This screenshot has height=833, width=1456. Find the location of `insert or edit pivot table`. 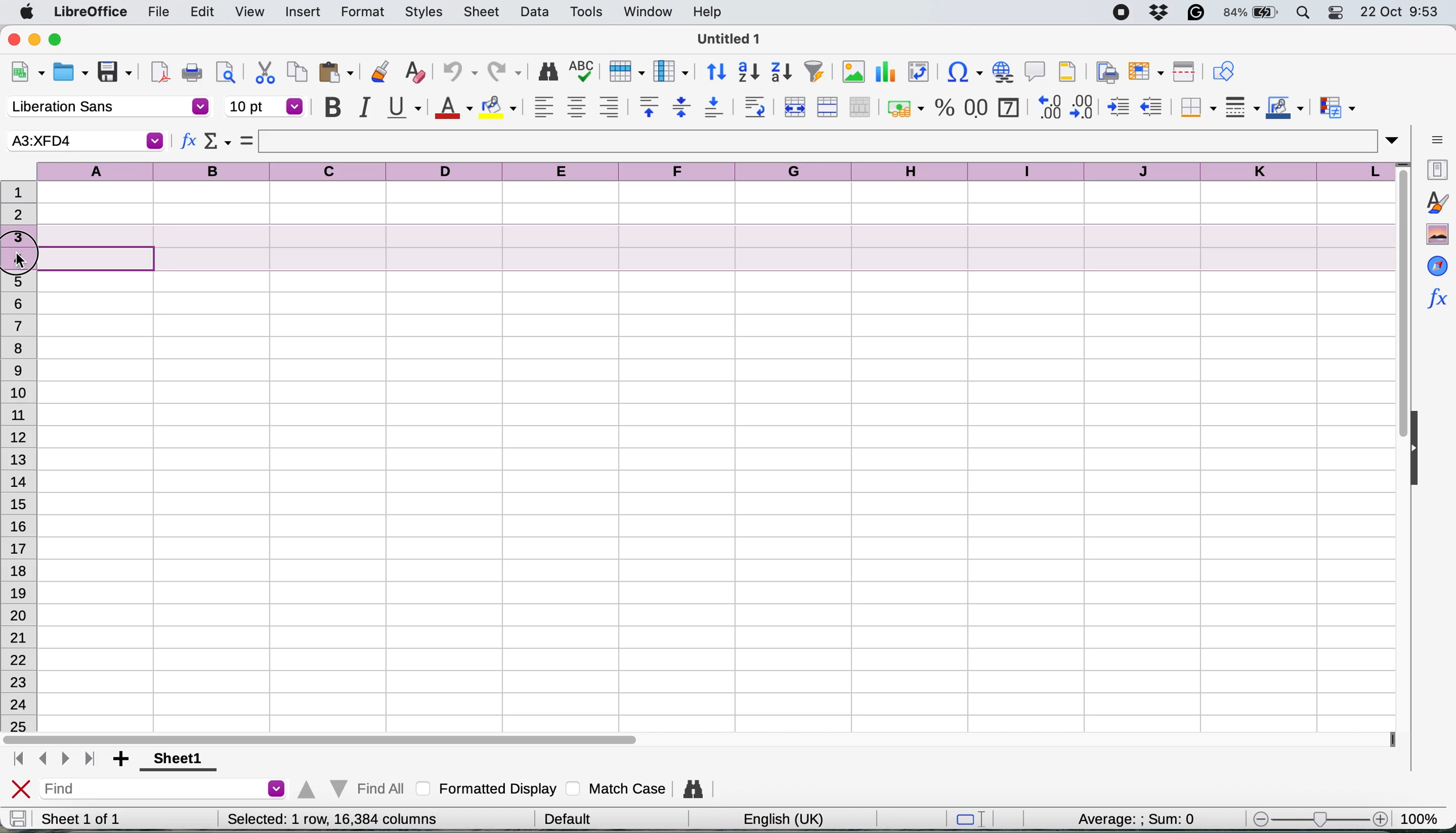

insert or edit pivot table is located at coordinates (915, 72).